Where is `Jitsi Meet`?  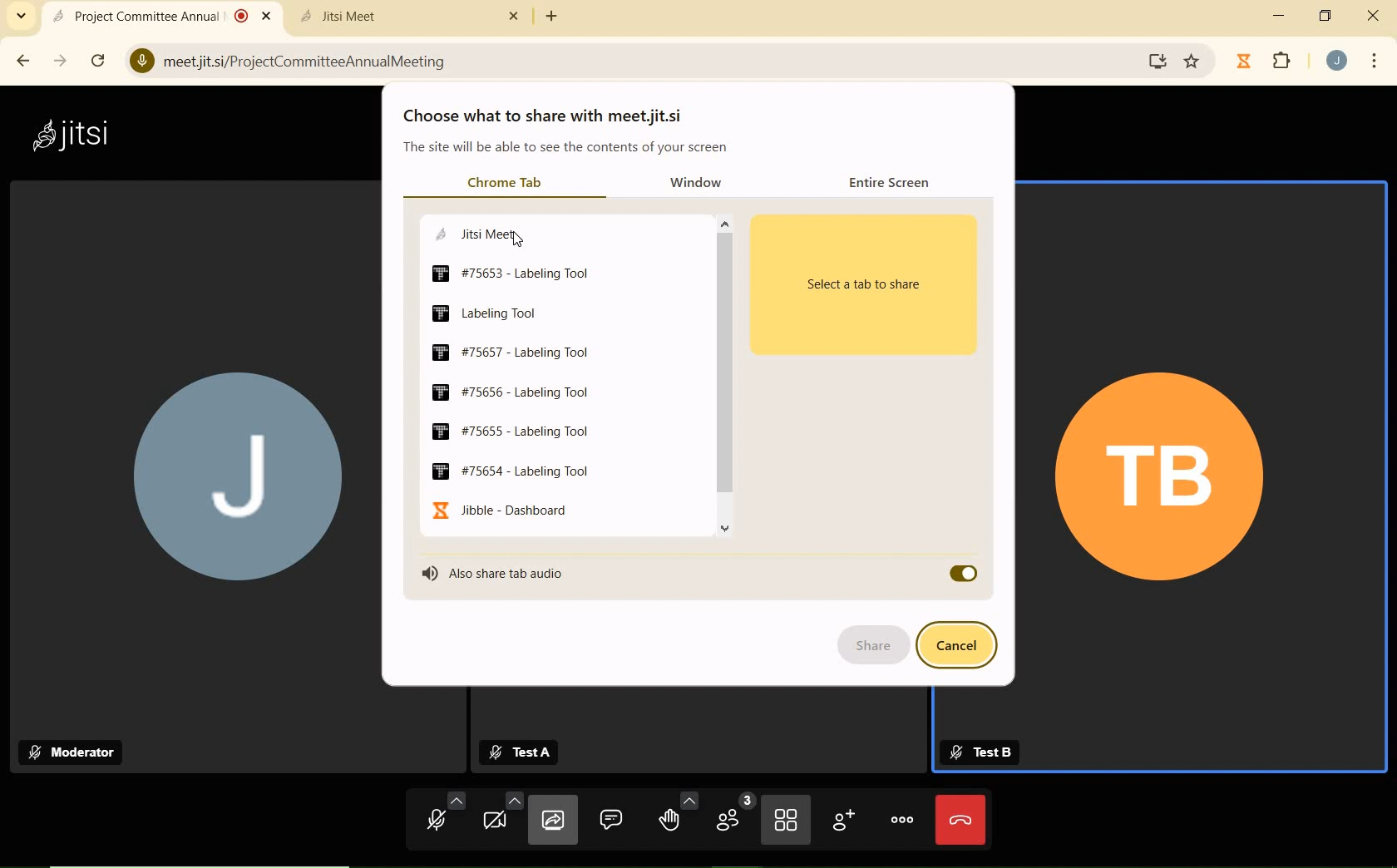 Jitsi Meet is located at coordinates (408, 17).